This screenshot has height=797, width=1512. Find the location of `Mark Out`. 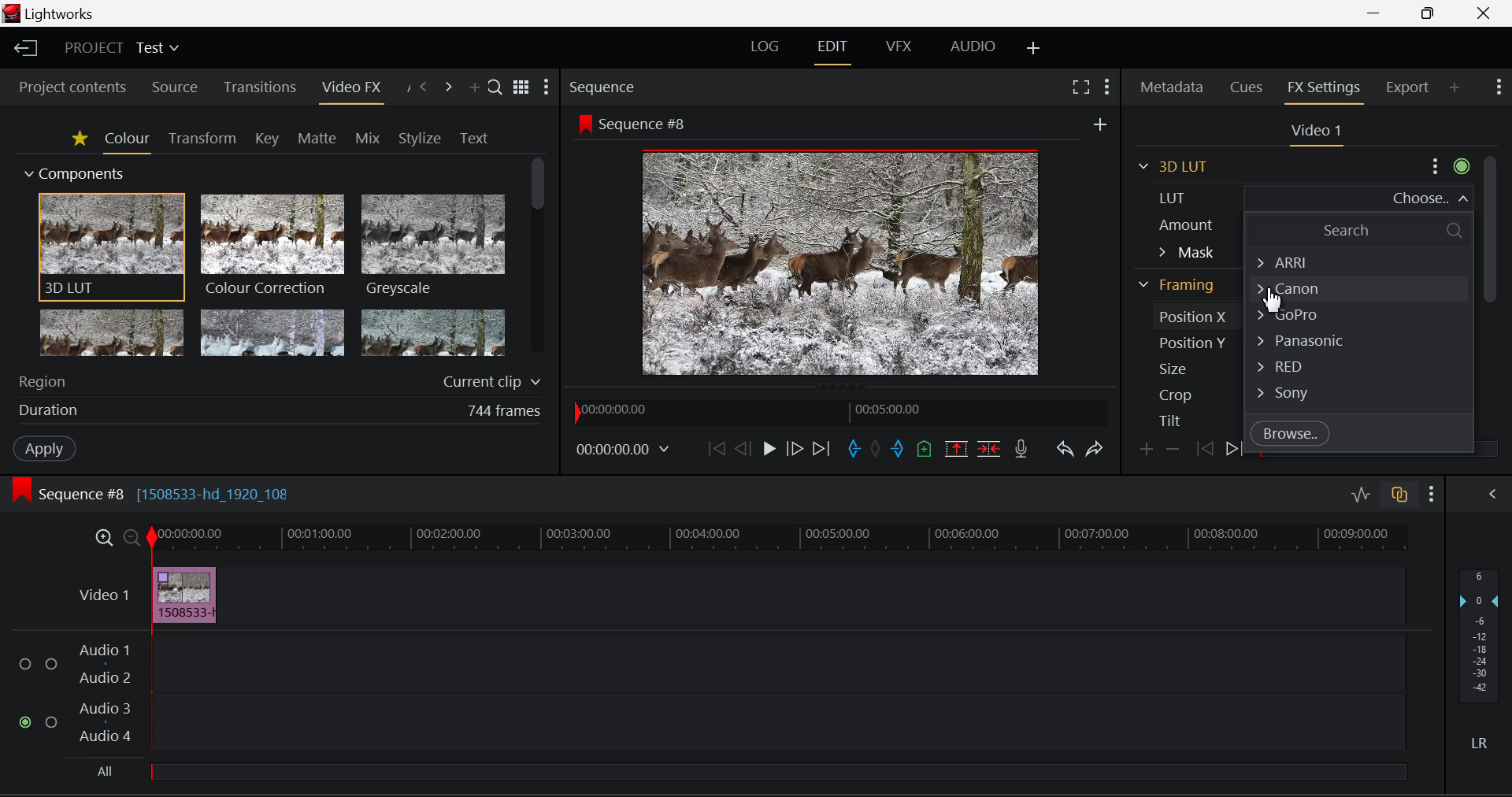

Mark Out is located at coordinates (898, 449).